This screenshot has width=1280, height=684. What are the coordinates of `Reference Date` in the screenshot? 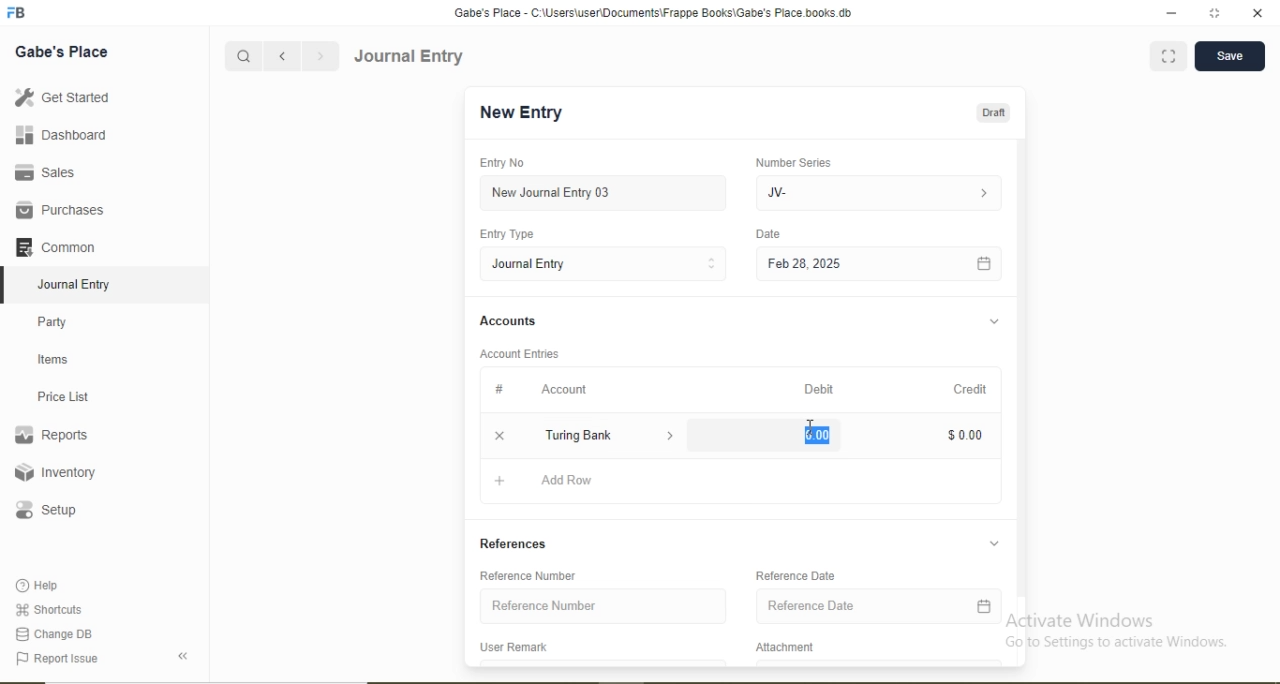 It's located at (811, 605).